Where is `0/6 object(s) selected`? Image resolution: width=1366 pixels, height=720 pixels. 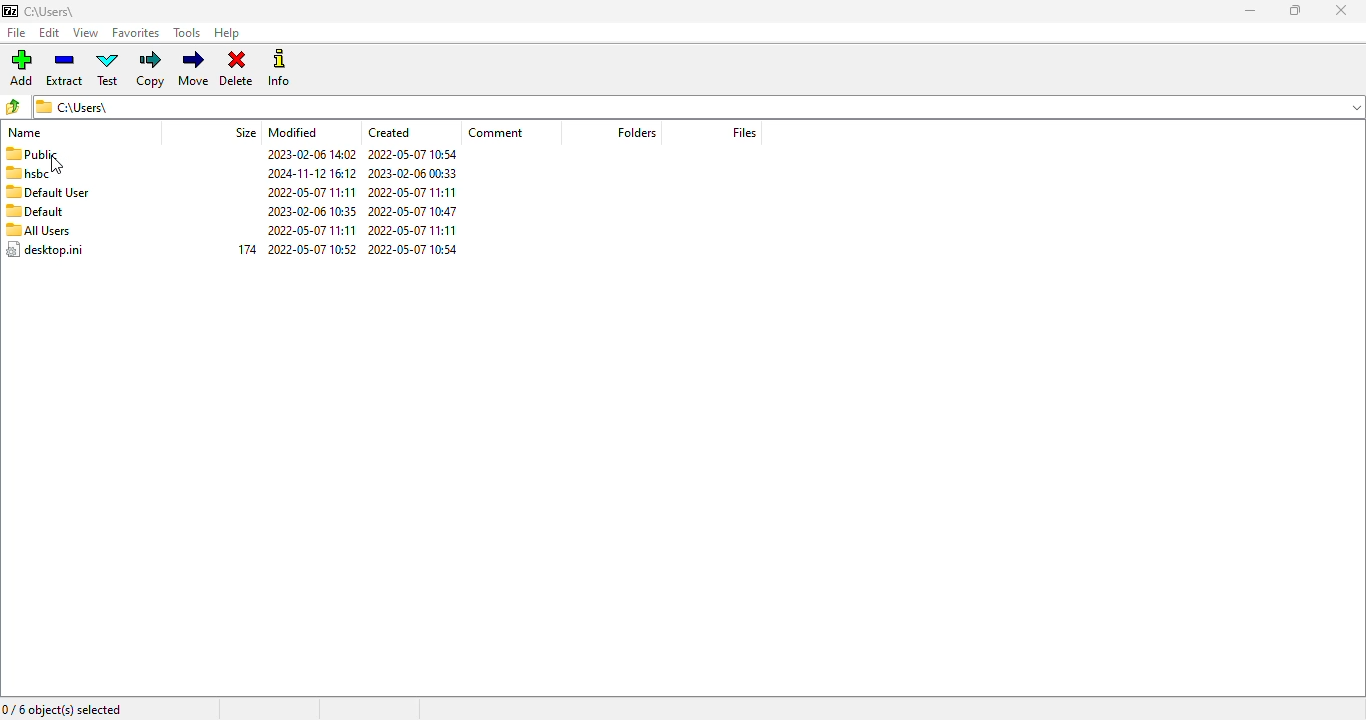
0/6 object(s) selected is located at coordinates (62, 711).